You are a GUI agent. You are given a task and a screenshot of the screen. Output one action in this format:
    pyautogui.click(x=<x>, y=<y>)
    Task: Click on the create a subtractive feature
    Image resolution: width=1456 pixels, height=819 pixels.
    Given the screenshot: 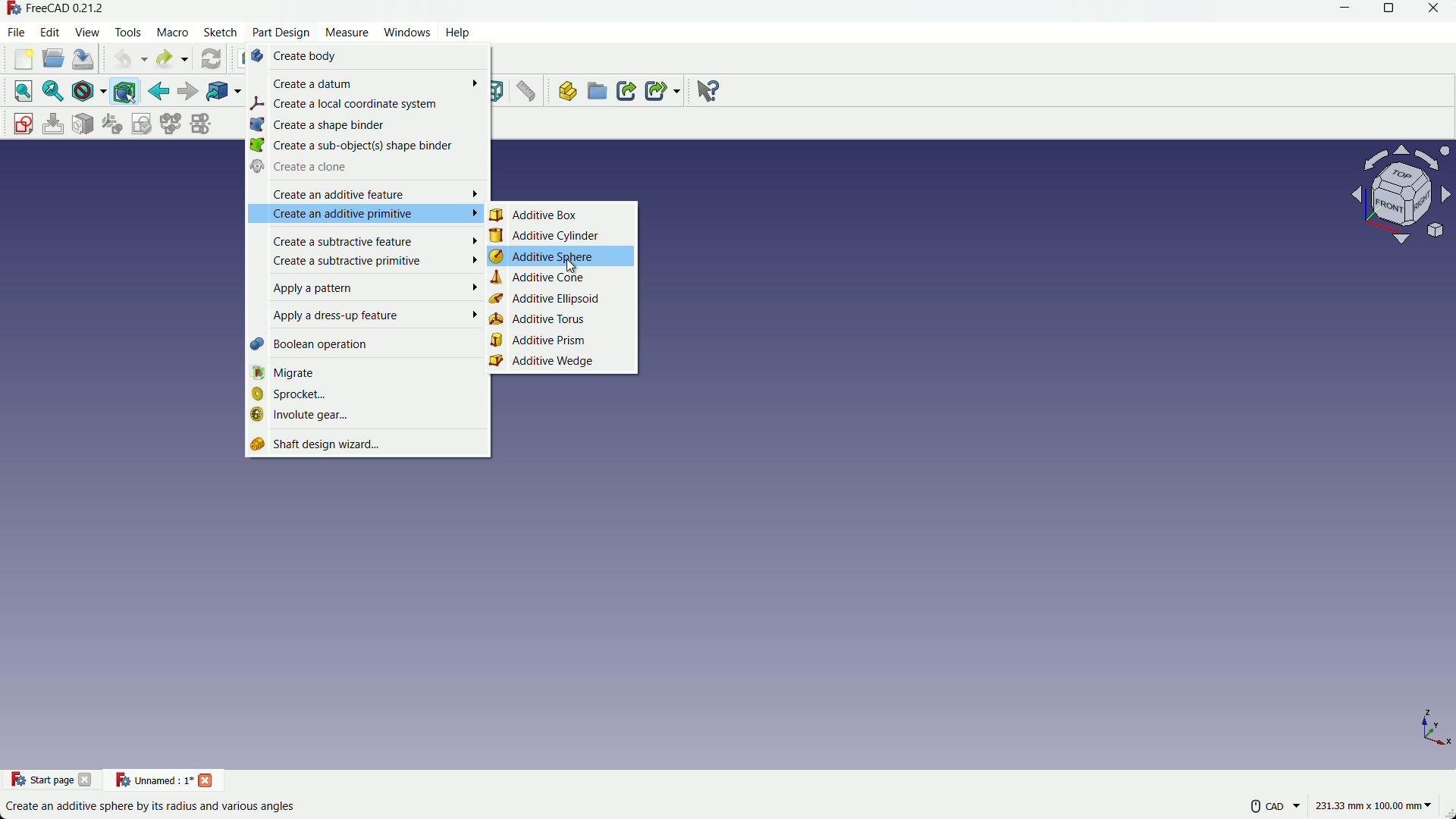 What is the action you would take?
    pyautogui.click(x=362, y=240)
    